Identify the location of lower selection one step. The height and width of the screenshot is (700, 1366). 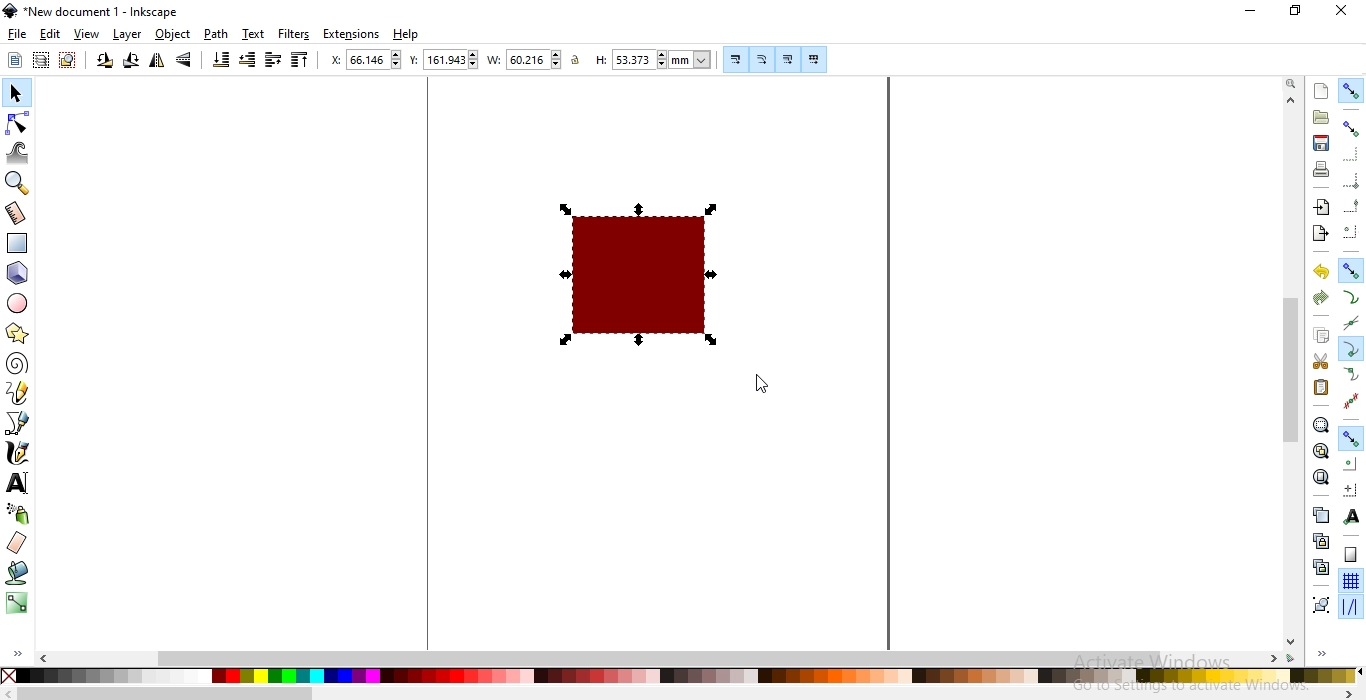
(247, 61).